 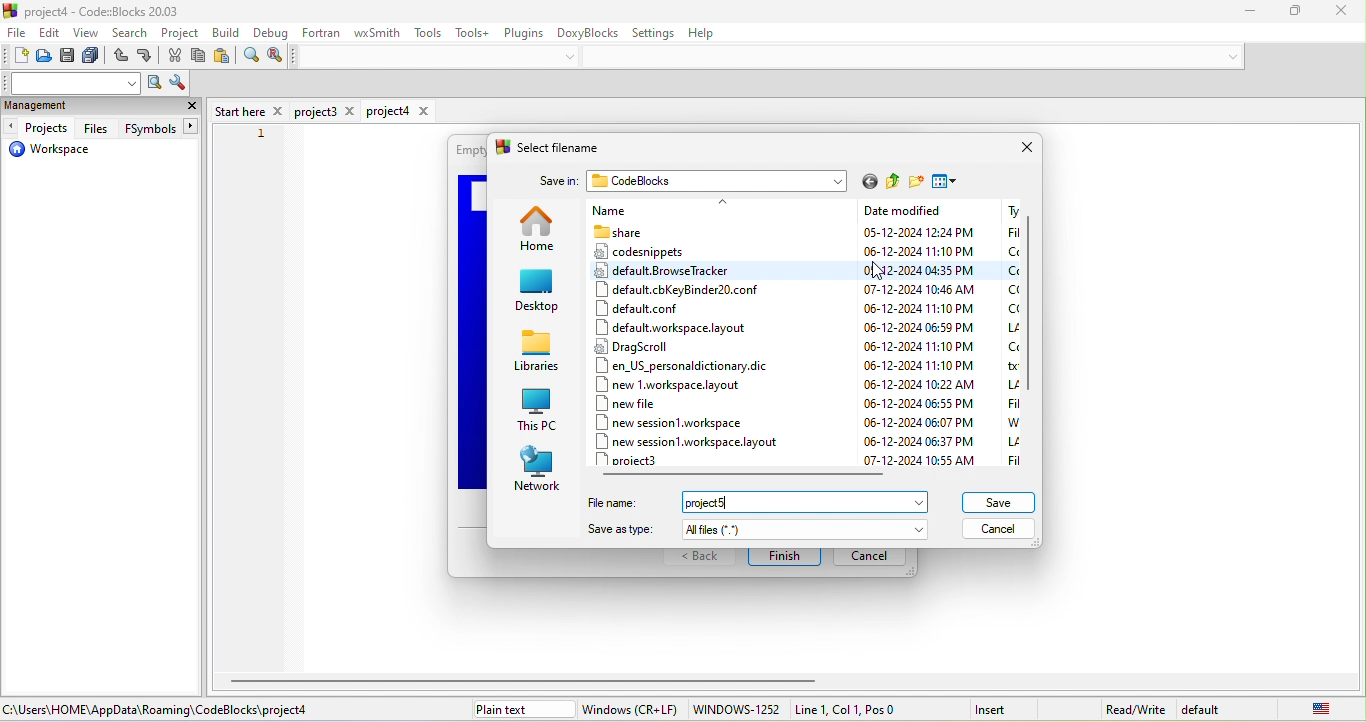 What do you see at coordinates (1333, 10) in the screenshot?
I see `close` at bounding box center [1333, 10].